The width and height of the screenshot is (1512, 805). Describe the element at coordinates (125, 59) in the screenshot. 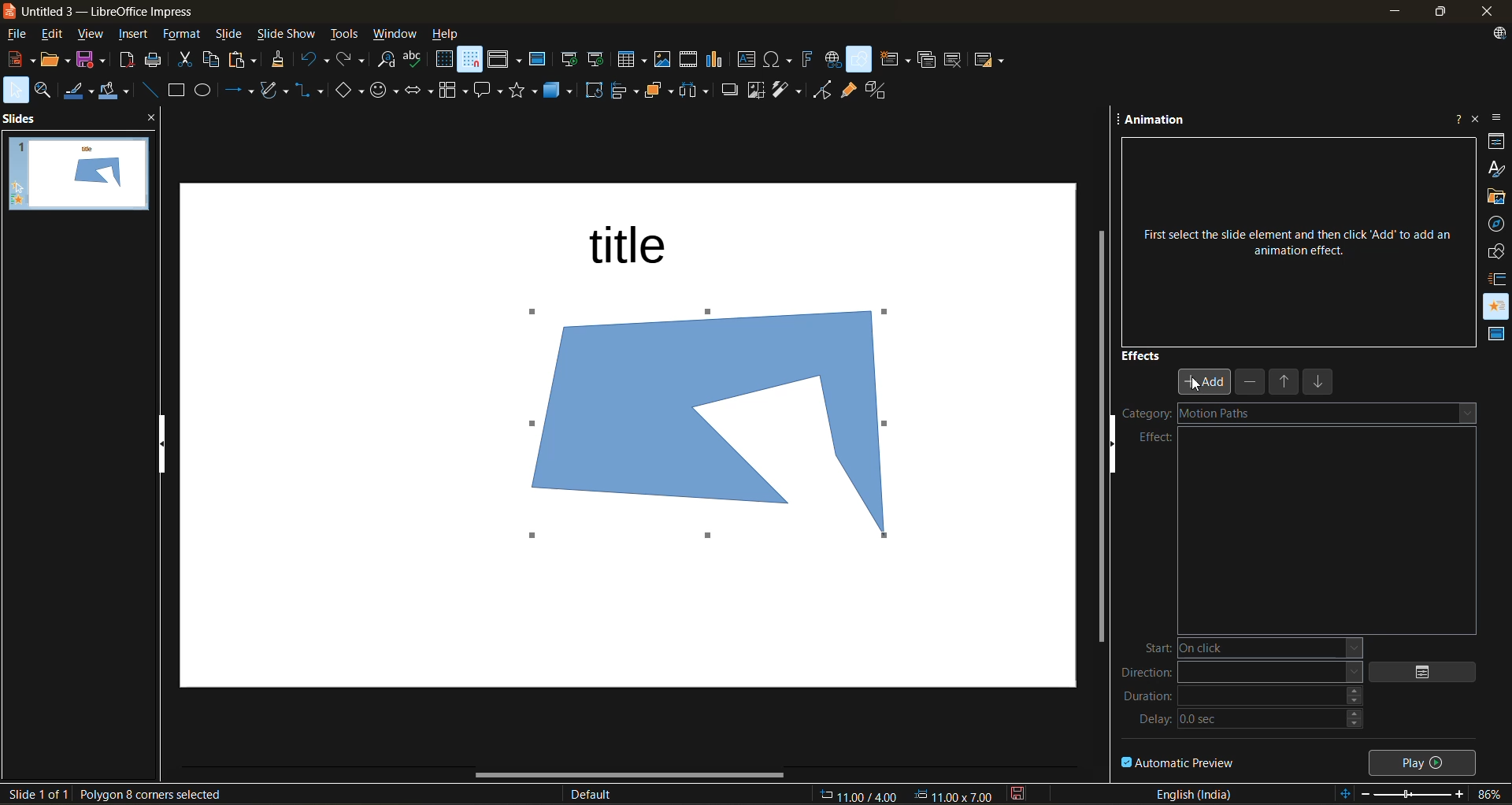

I see `export as pdf` at that location.